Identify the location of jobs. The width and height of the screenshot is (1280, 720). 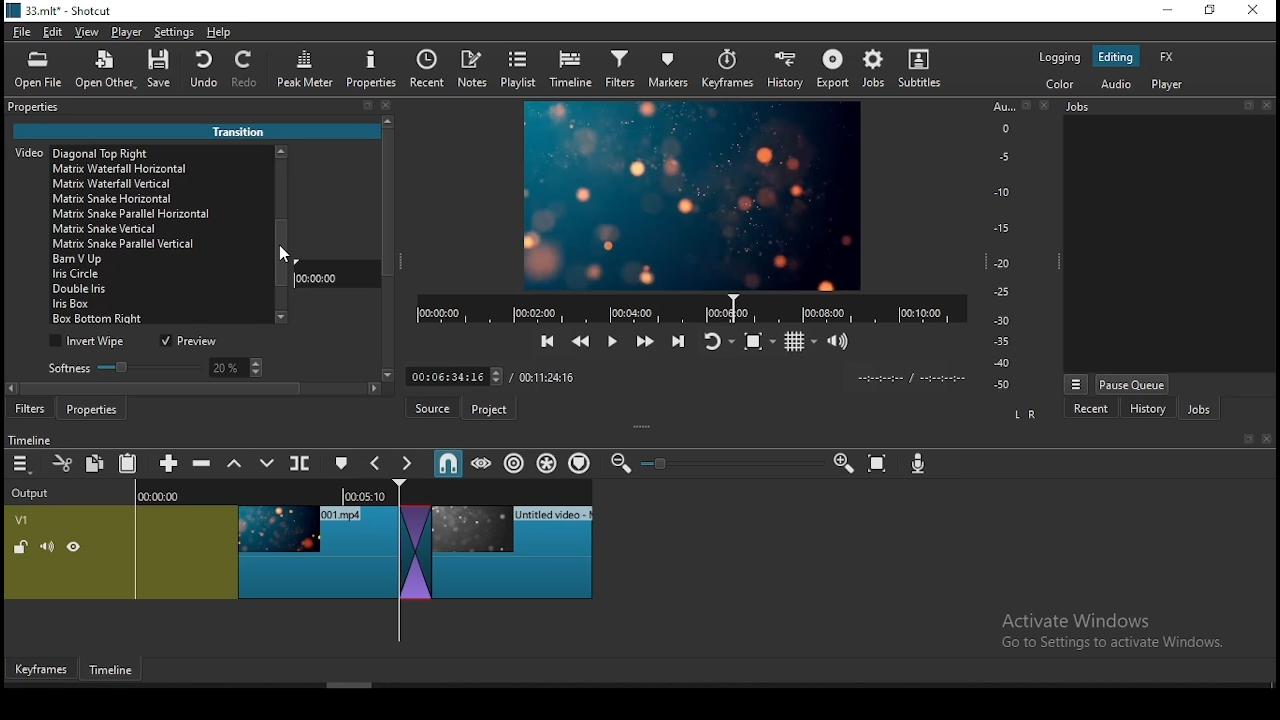
(874, 68).